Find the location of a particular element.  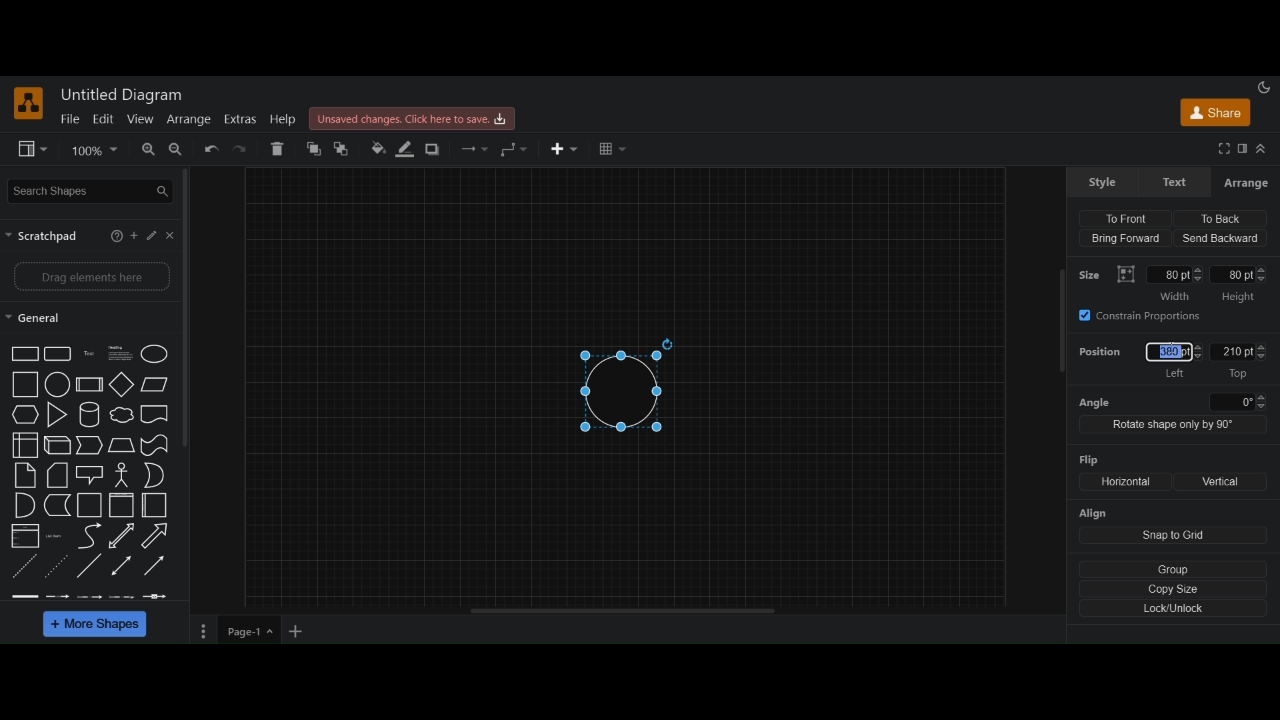

trapezium is located at coordinates (155, 383).